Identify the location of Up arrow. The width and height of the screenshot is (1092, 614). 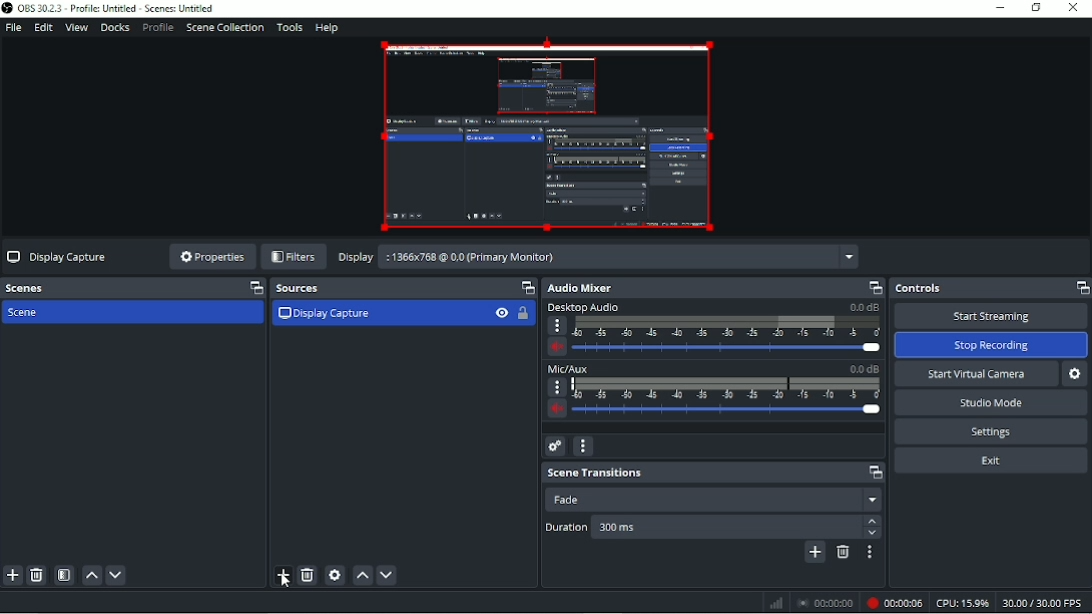
(872, 522).